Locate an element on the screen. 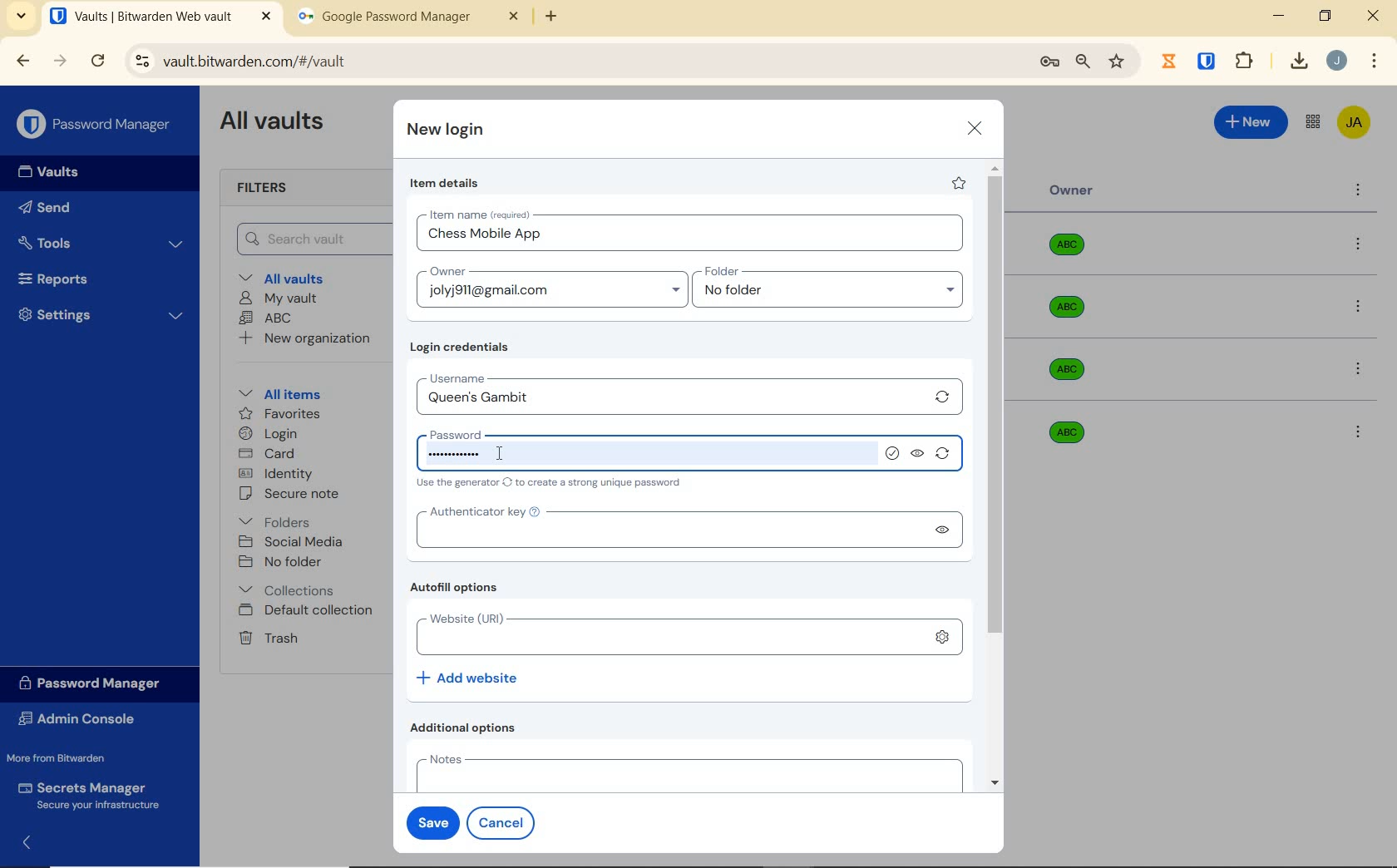 The width and height of the screenshot is (1397, 868). unhide is located at coordinates (919, 455).